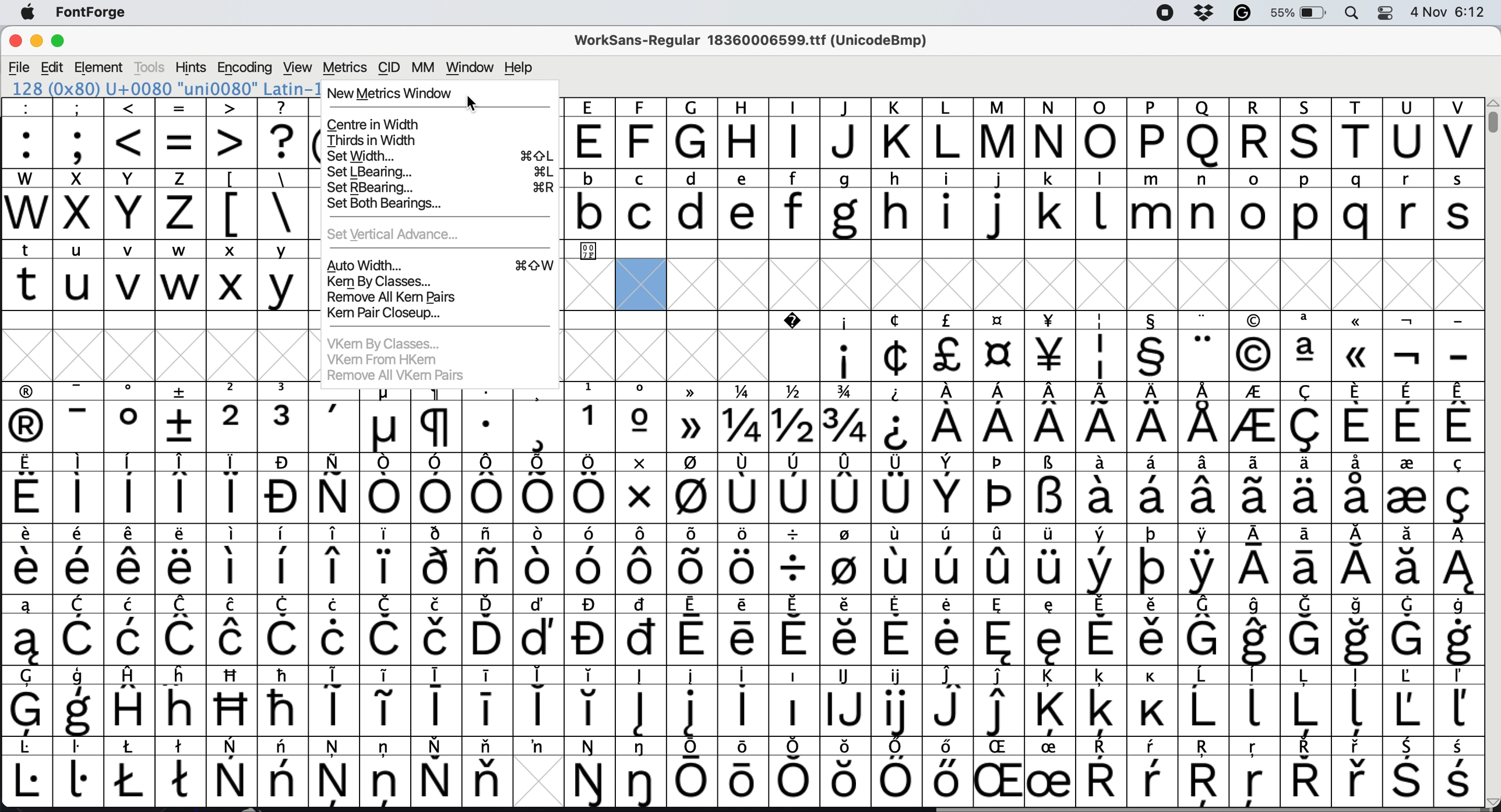 This screenshot has width=1501, height=812. What do you see at coordinates (442, 189) in the screenshot?
I see `set rbearing` at bounding box center [442, 189].